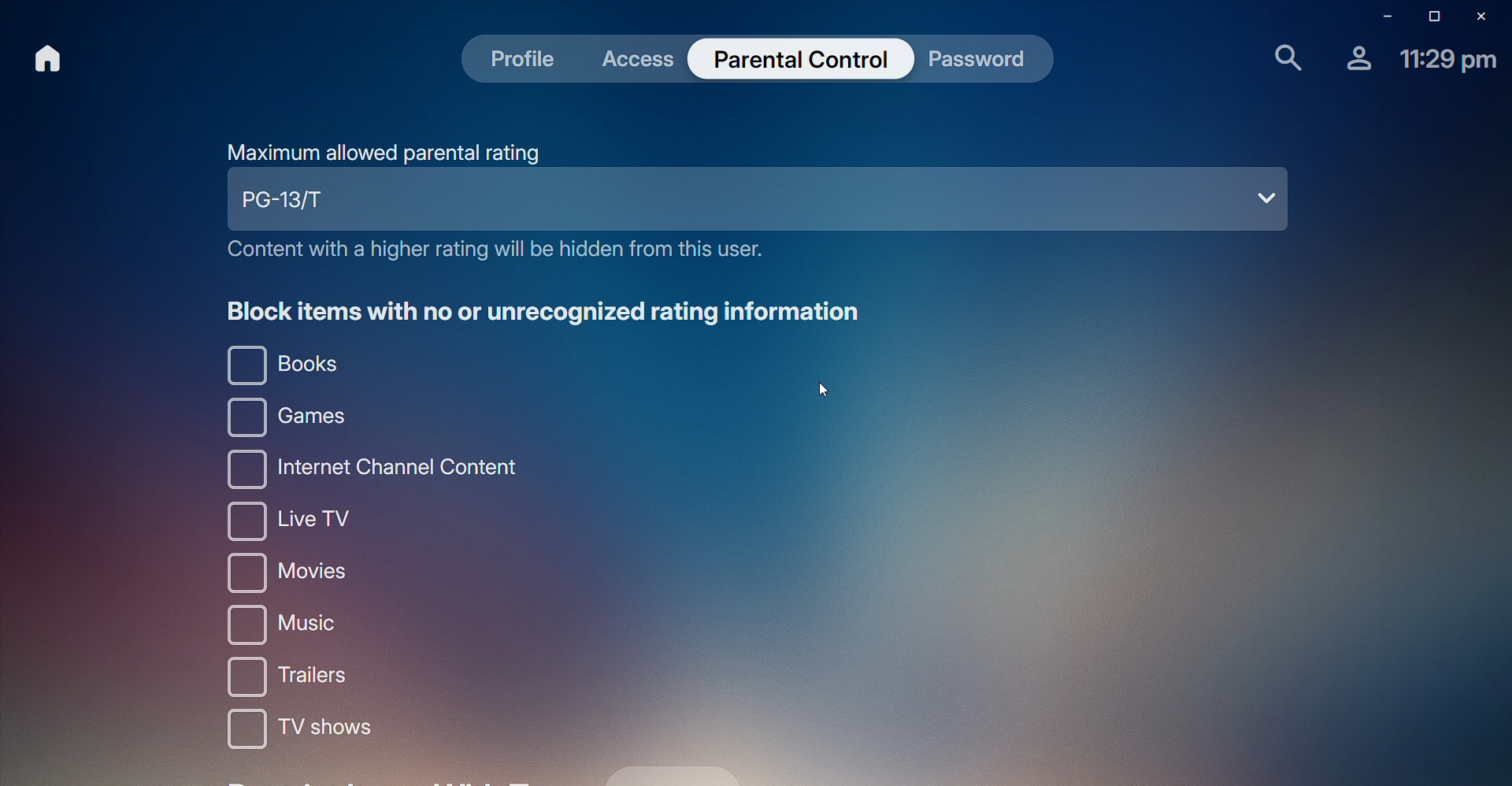  I want to click on Live TV, so click(294, 521).